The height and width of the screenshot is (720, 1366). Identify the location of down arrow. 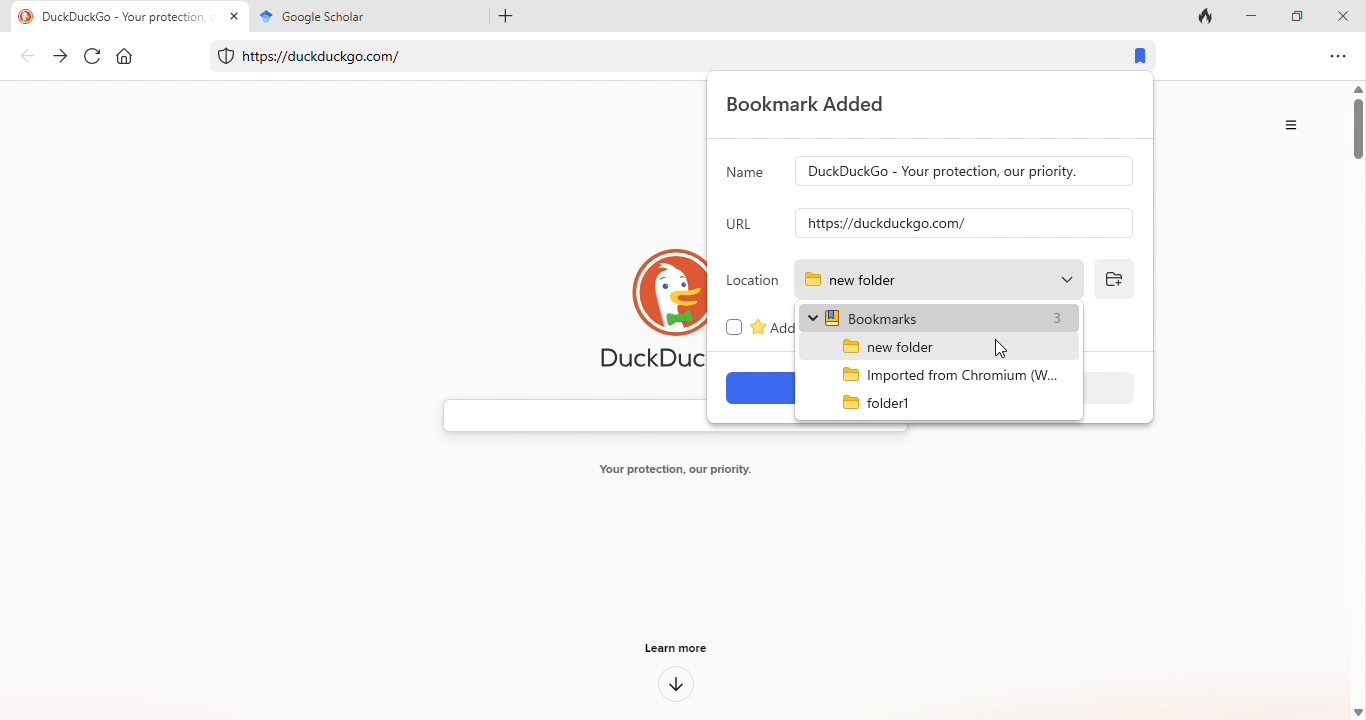
(676, 686).